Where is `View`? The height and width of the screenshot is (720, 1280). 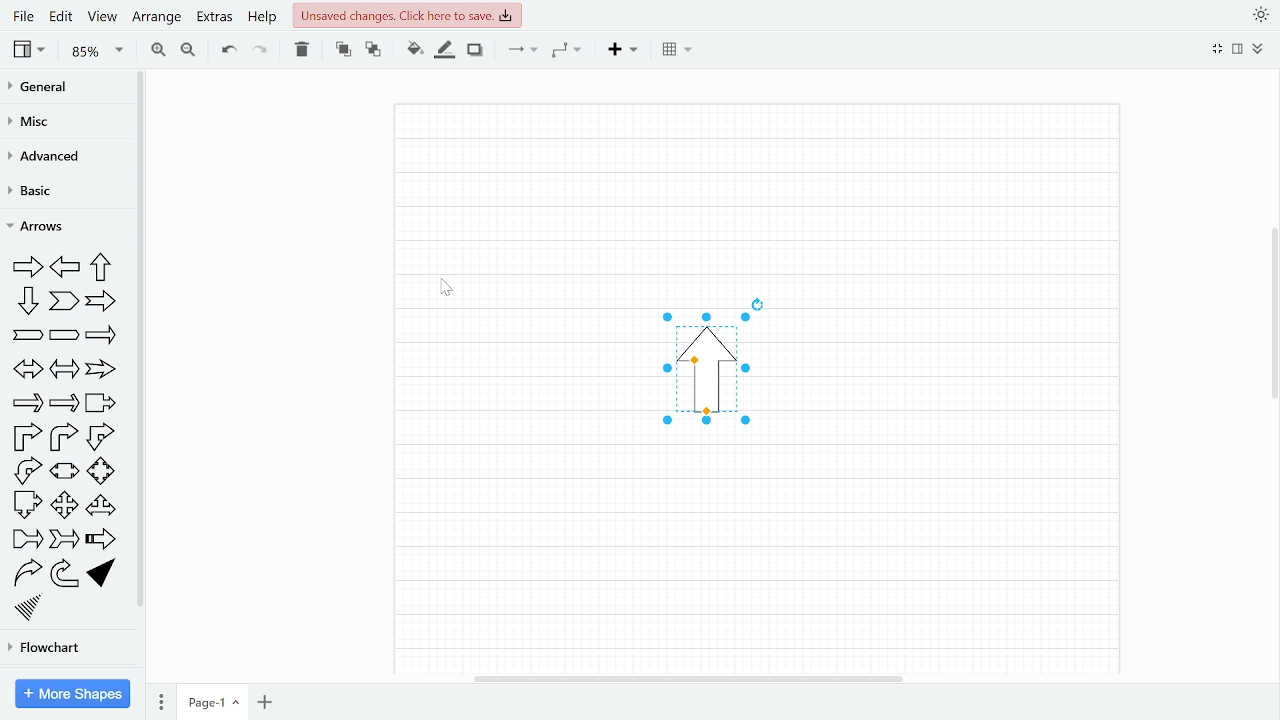 View is located at coordinates (29, 51).